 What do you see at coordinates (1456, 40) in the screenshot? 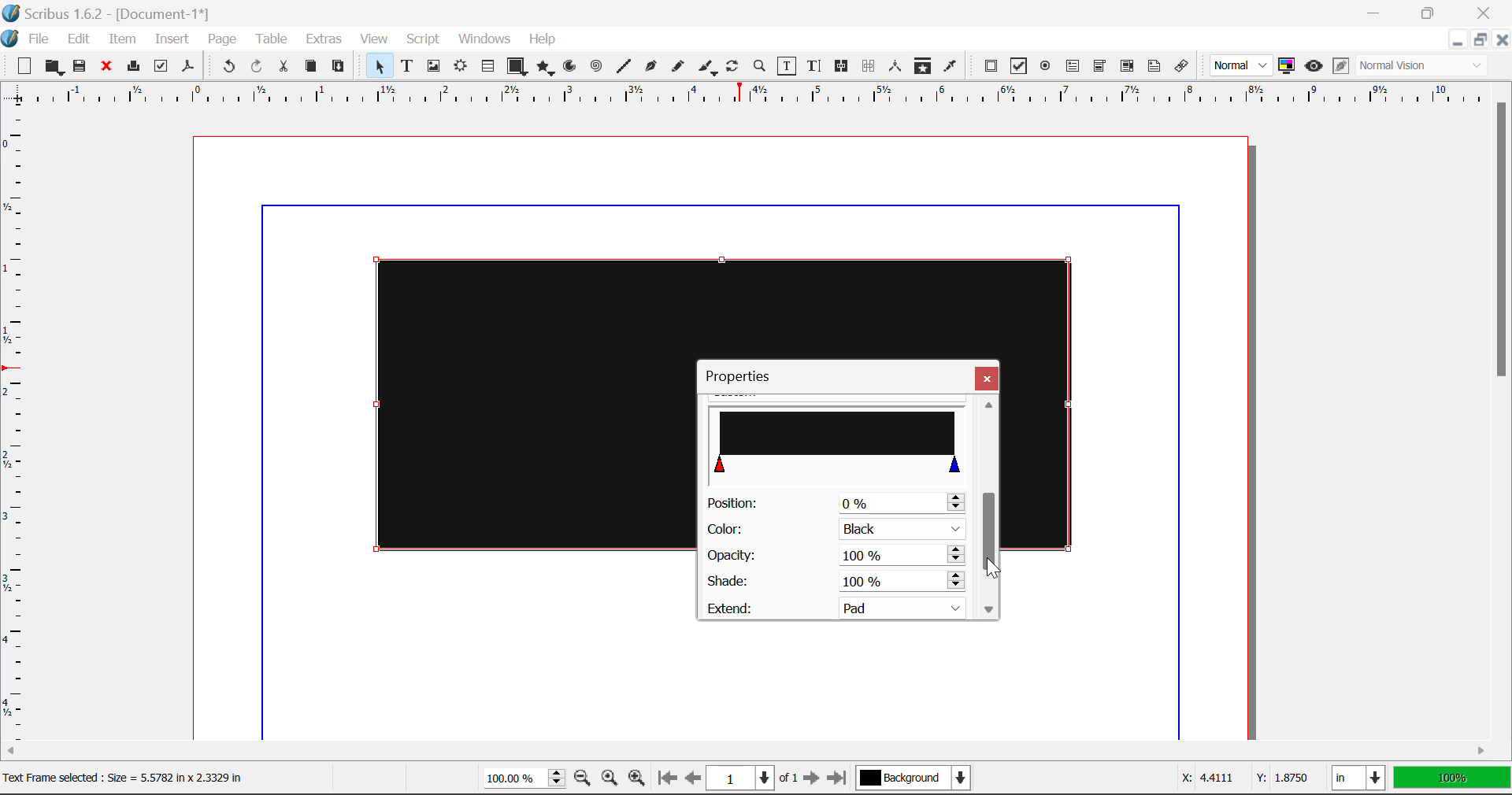
I see `Restore Down` at bounding box center [1456, 40].